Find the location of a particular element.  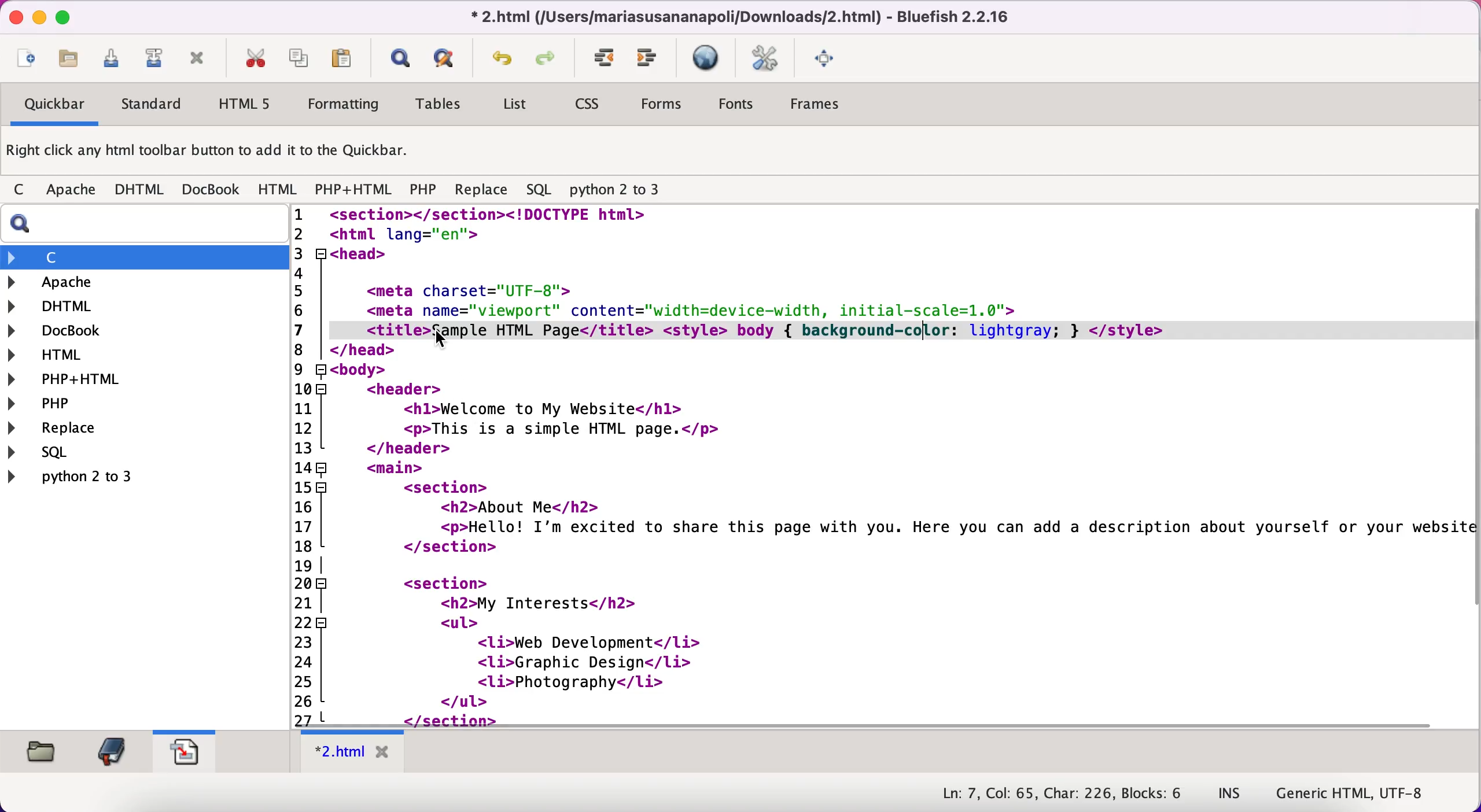

fonts is located at coordinates (736, 106).